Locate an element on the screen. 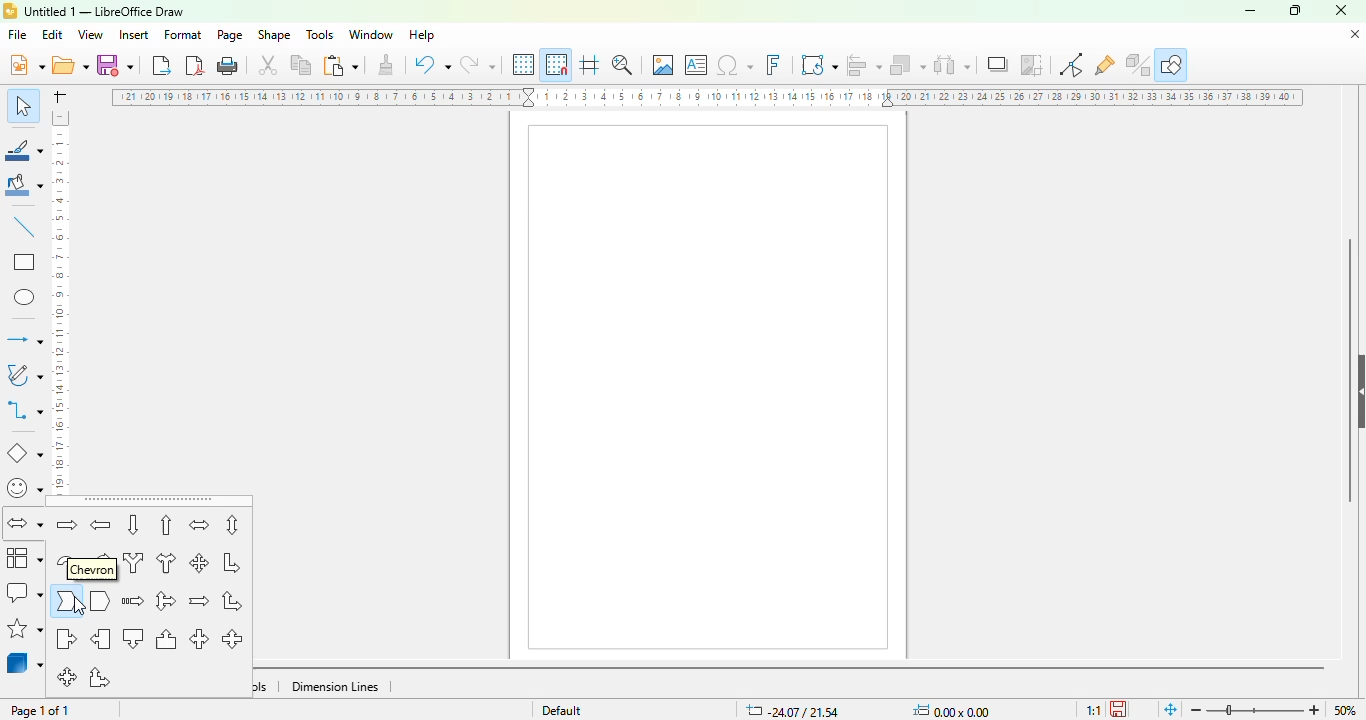 This screenshot has width=1366, height=720. display grid is located at coordinates (525, 65).